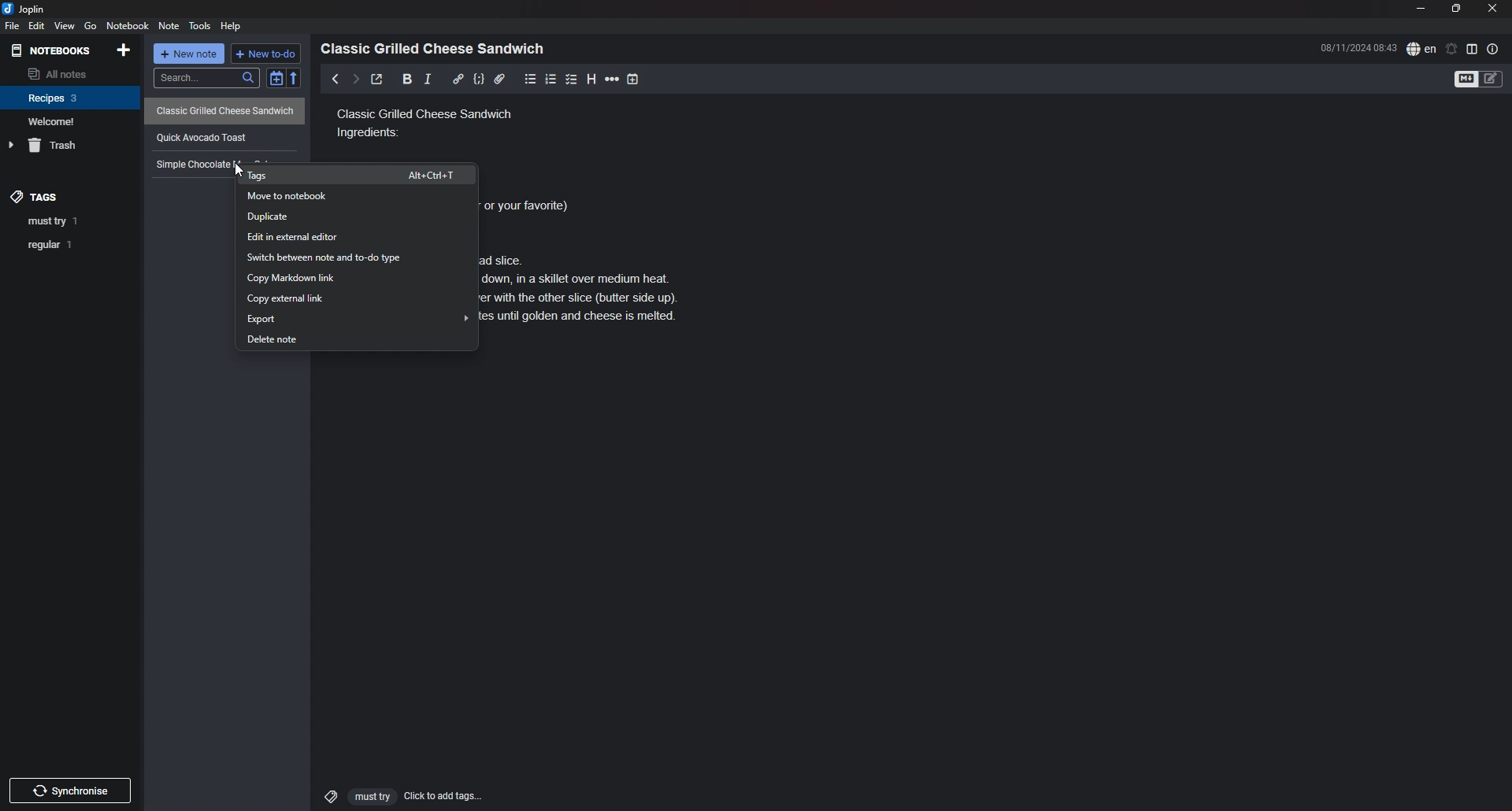 The width and height of the screenshot is (1512, 811). I want to click on notebook, so click(129, 25).